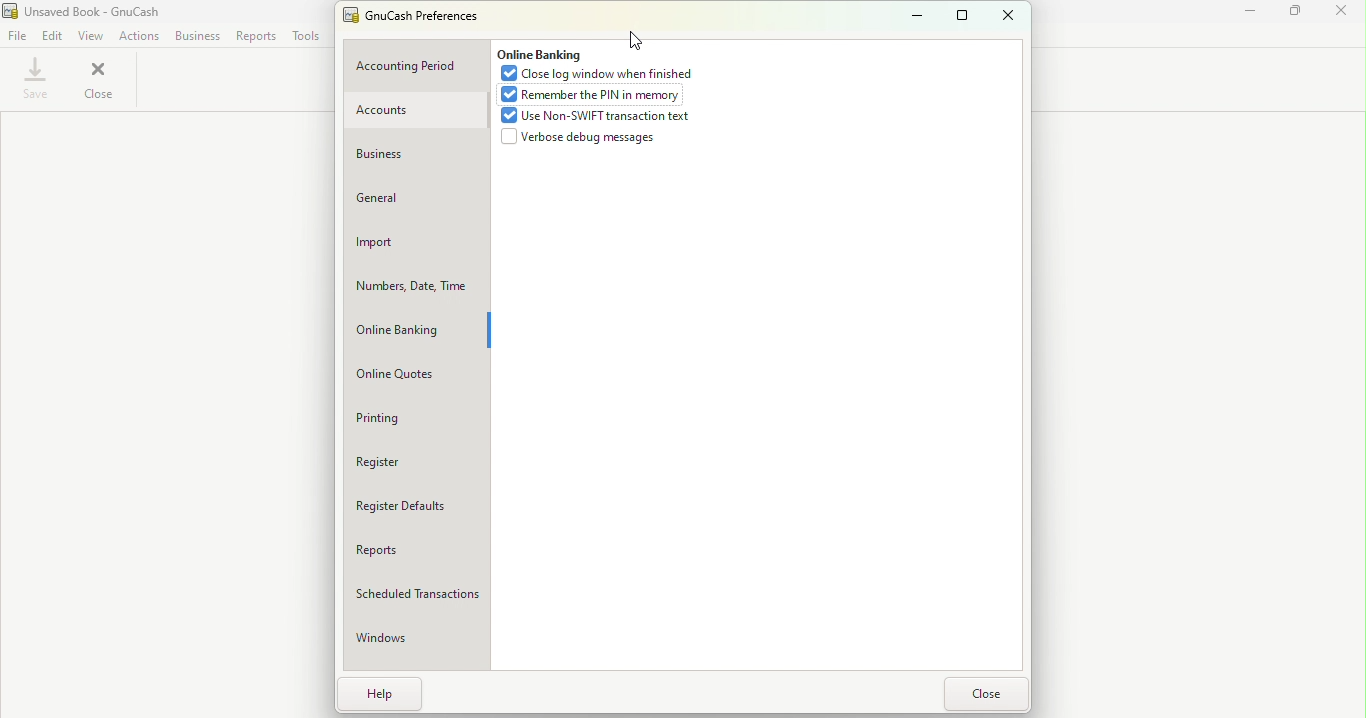  I want to click on Register, so click(403, 463).